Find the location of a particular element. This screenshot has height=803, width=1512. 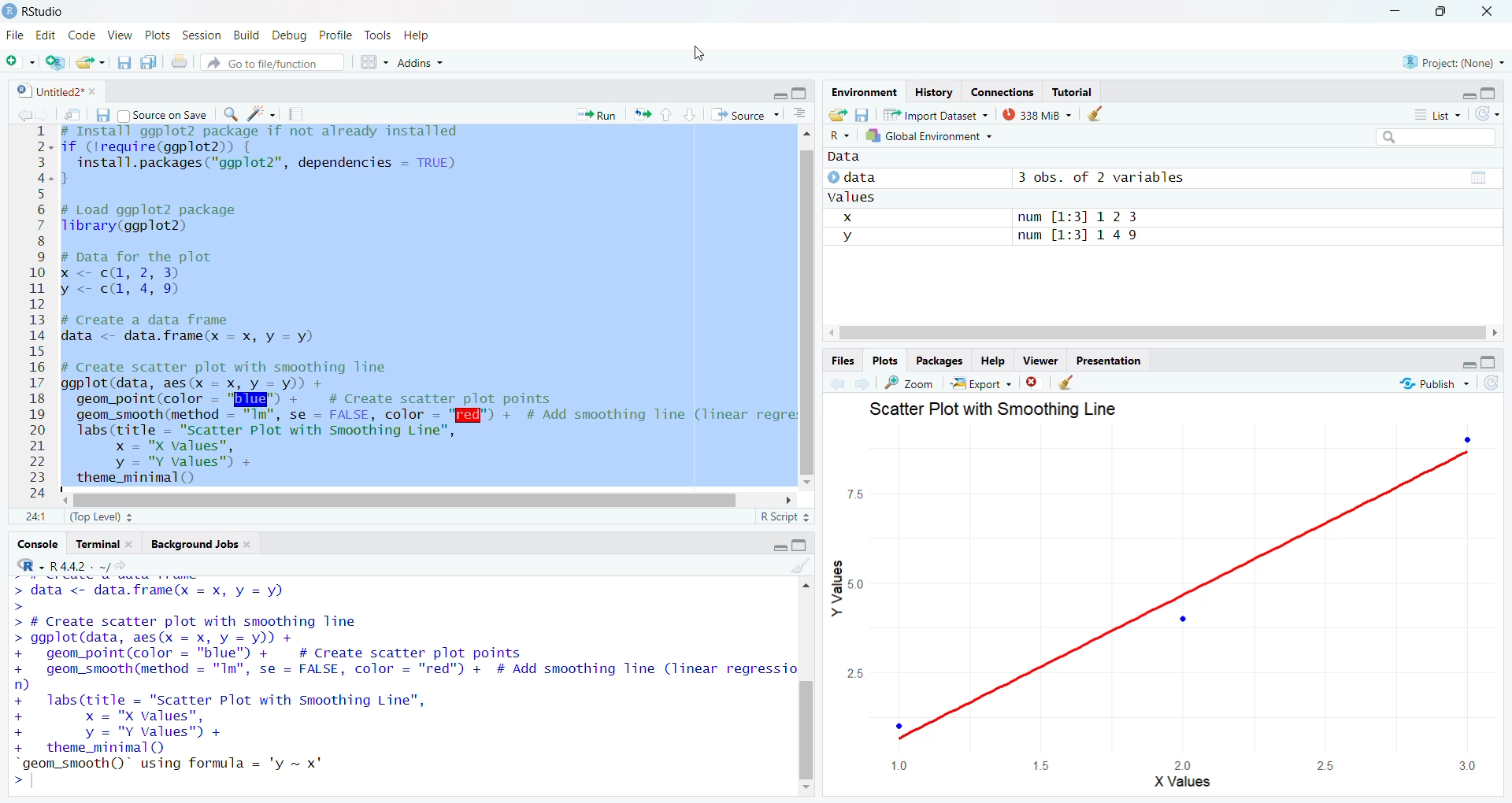

new file is located at coordinates (20, 60).